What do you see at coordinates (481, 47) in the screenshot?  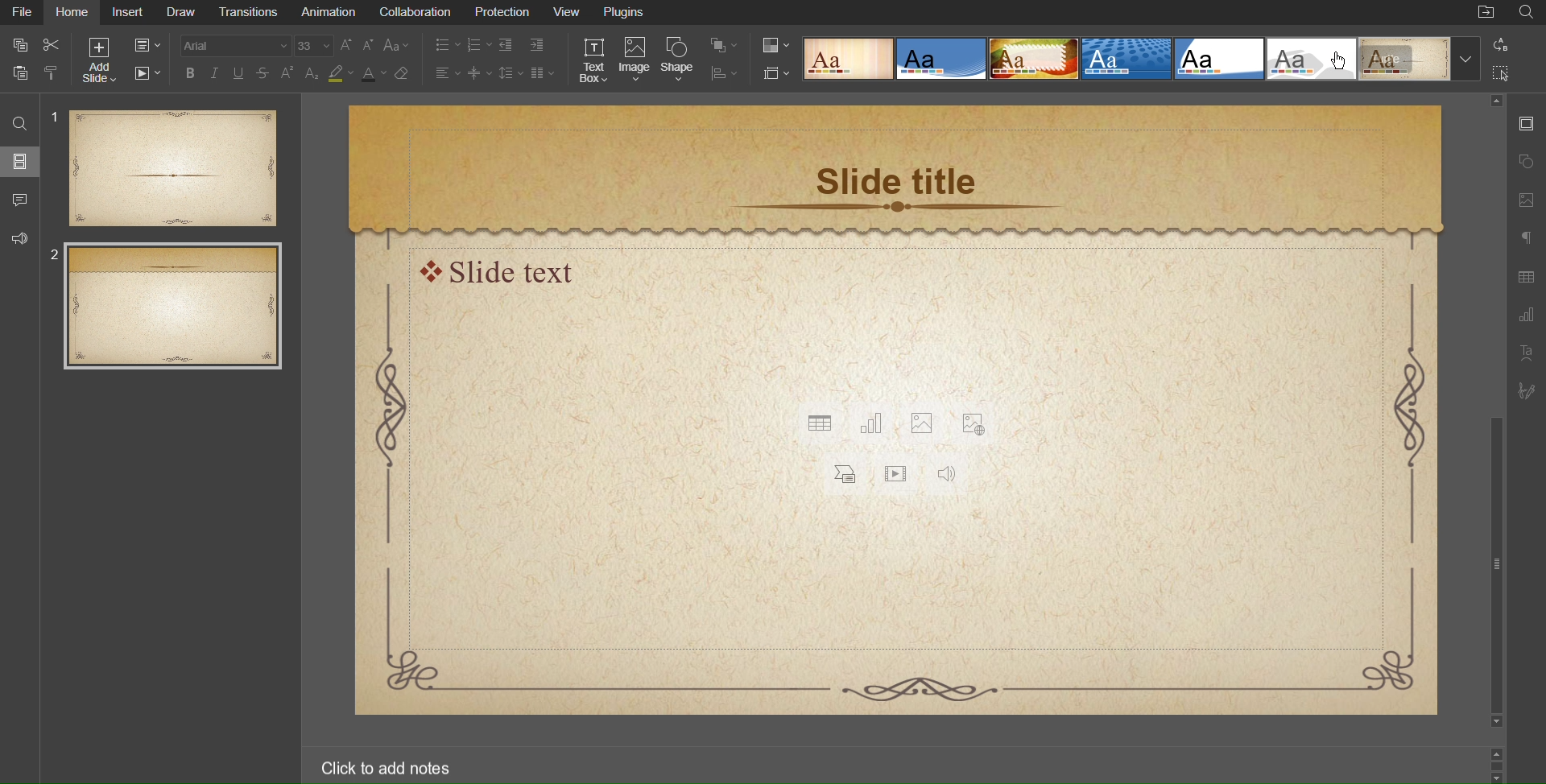 I see `Numbered List` at bounding box center [481, 47].